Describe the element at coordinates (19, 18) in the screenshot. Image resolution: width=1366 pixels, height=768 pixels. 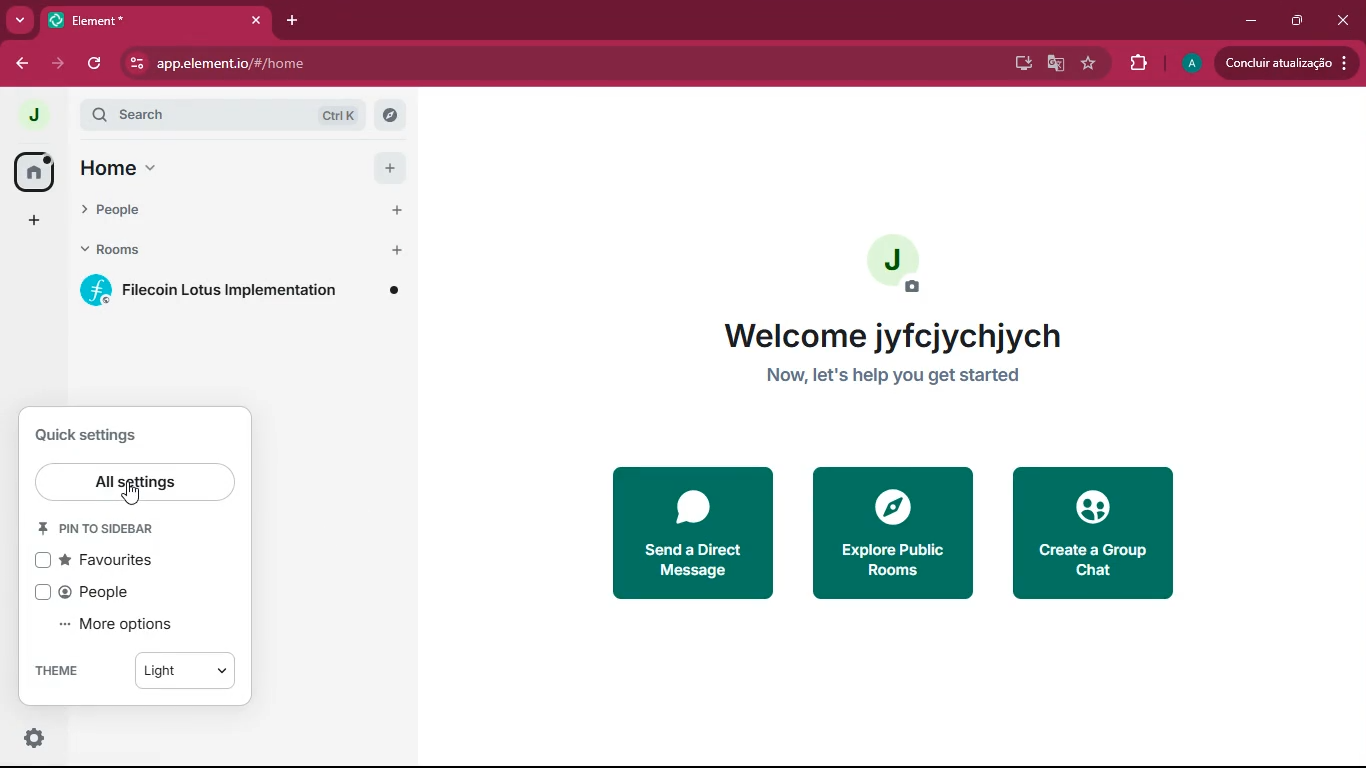
I see `more` at that location.